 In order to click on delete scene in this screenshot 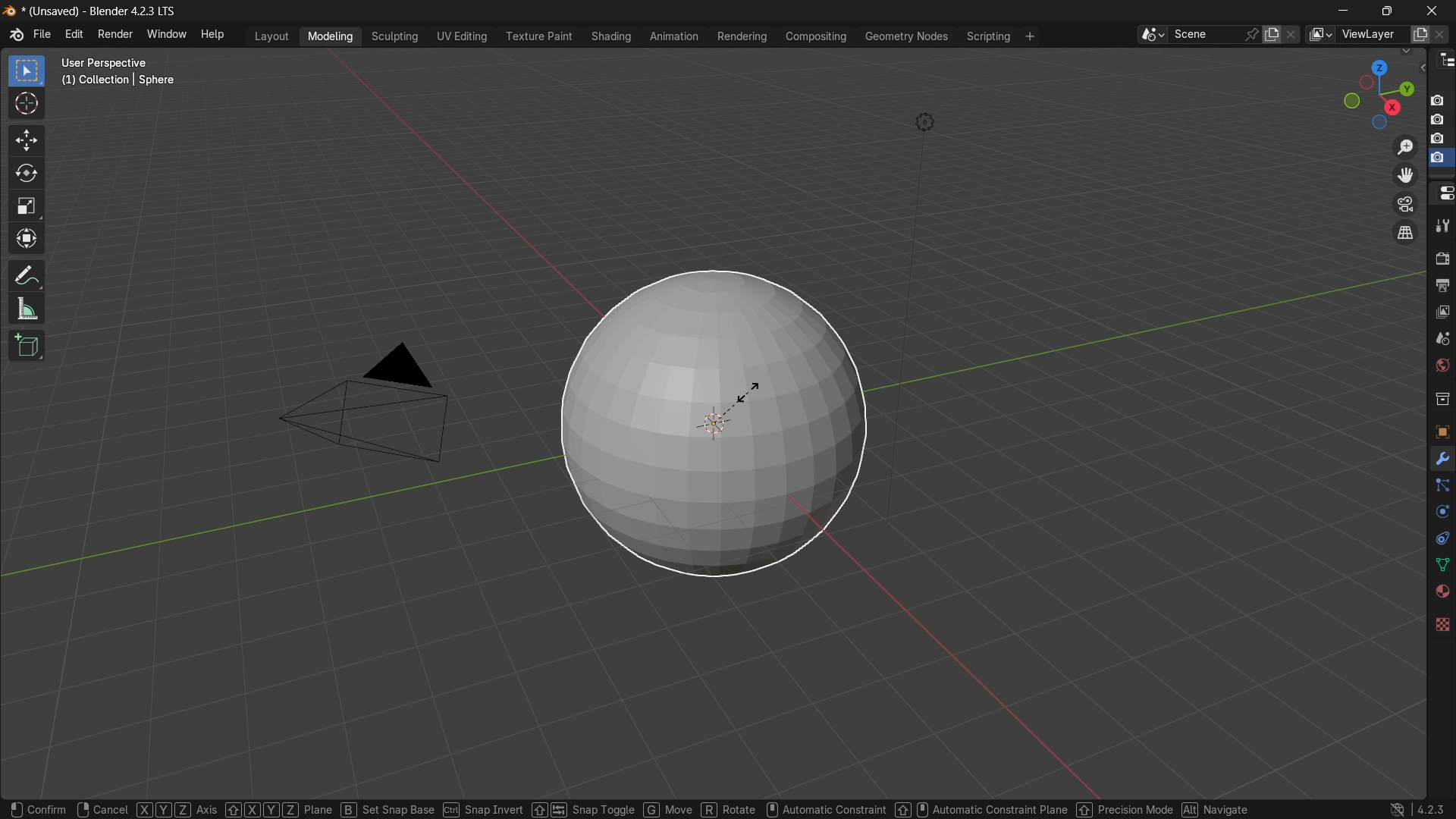, I will do `click(1292, 35)`.